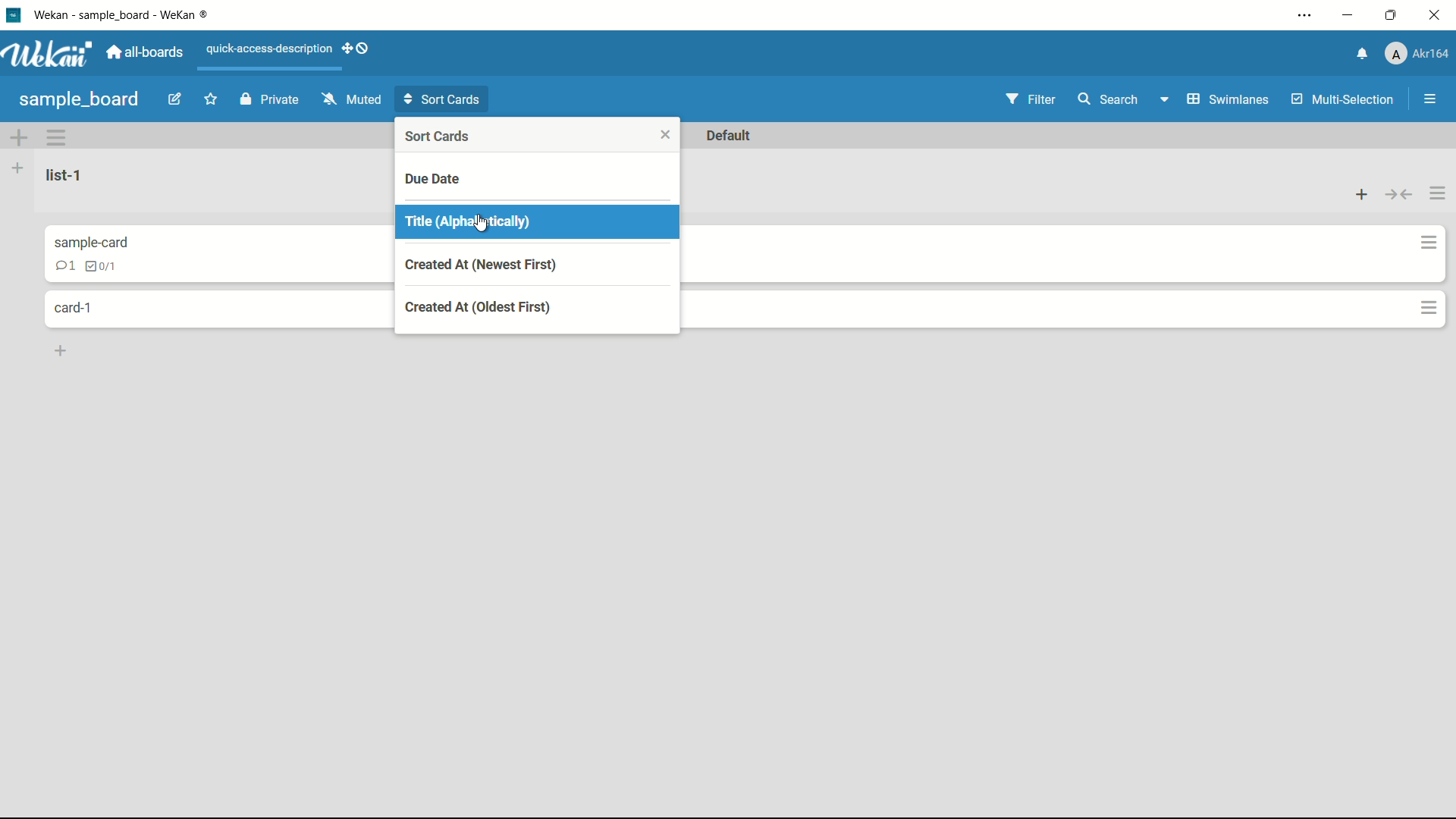 This screenshot has width=1456, height=819. What do you see at coordinates (1430, 99) in the screenshot?
I see `open sidebar or close sidebar` at bounding box center [1430, 99].